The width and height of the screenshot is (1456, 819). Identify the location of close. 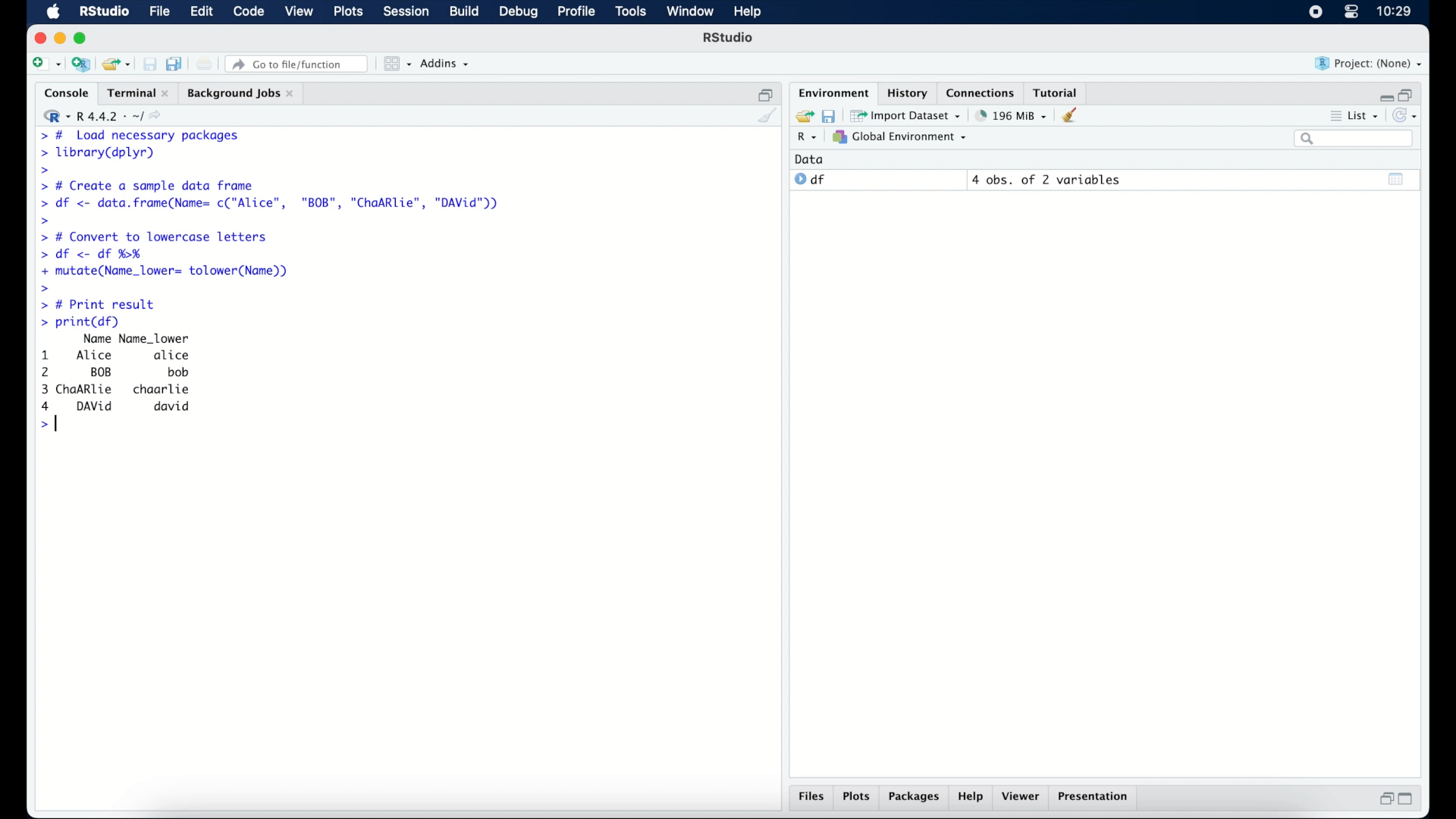
(40, 38).